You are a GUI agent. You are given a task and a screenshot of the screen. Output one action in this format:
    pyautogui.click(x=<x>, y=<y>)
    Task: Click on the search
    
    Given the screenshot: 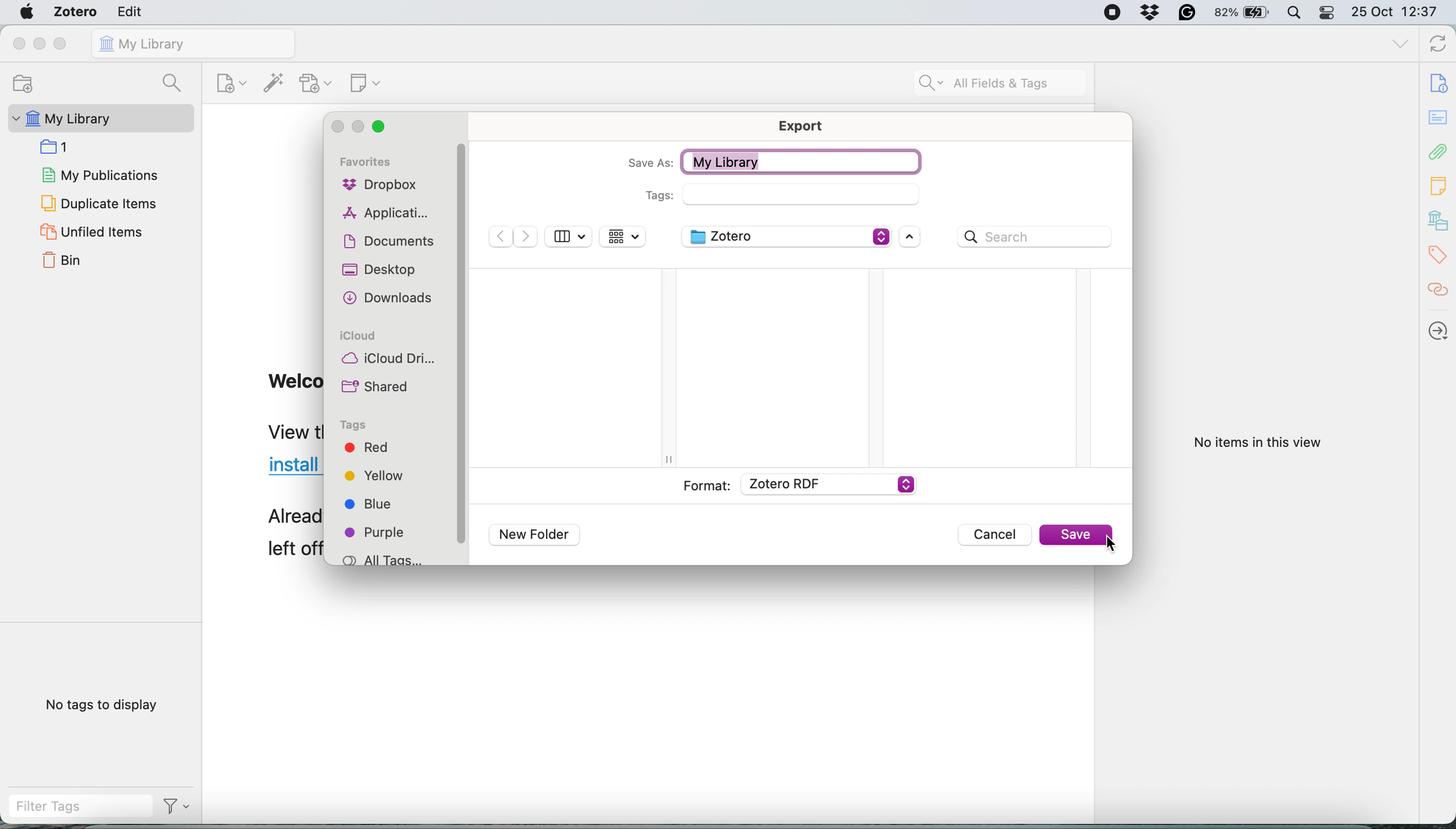 What is the action you would take?
    pyautogui.click(x=171, y=82)
    